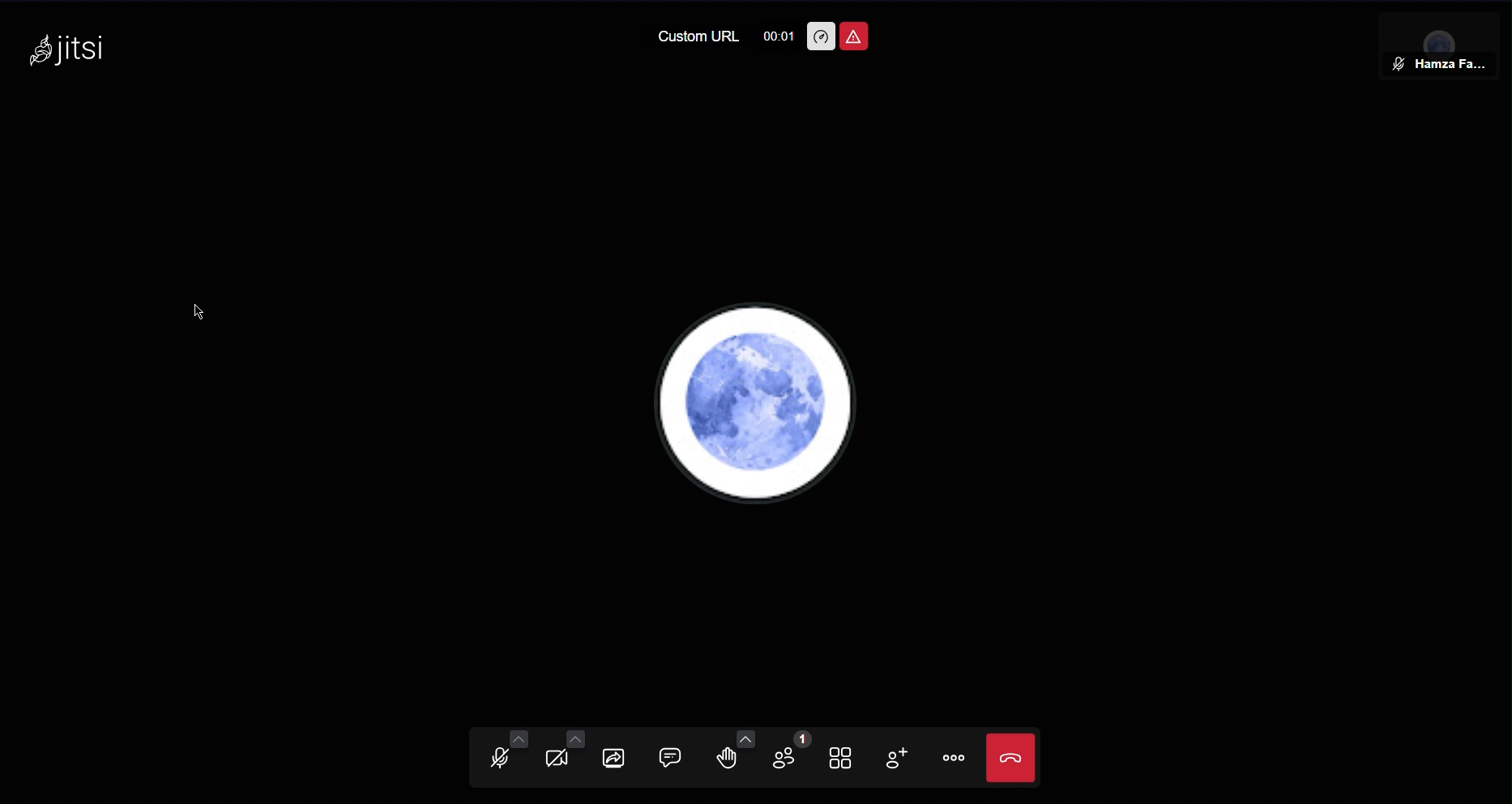  I want to click on Tile View, so click(848, 759).